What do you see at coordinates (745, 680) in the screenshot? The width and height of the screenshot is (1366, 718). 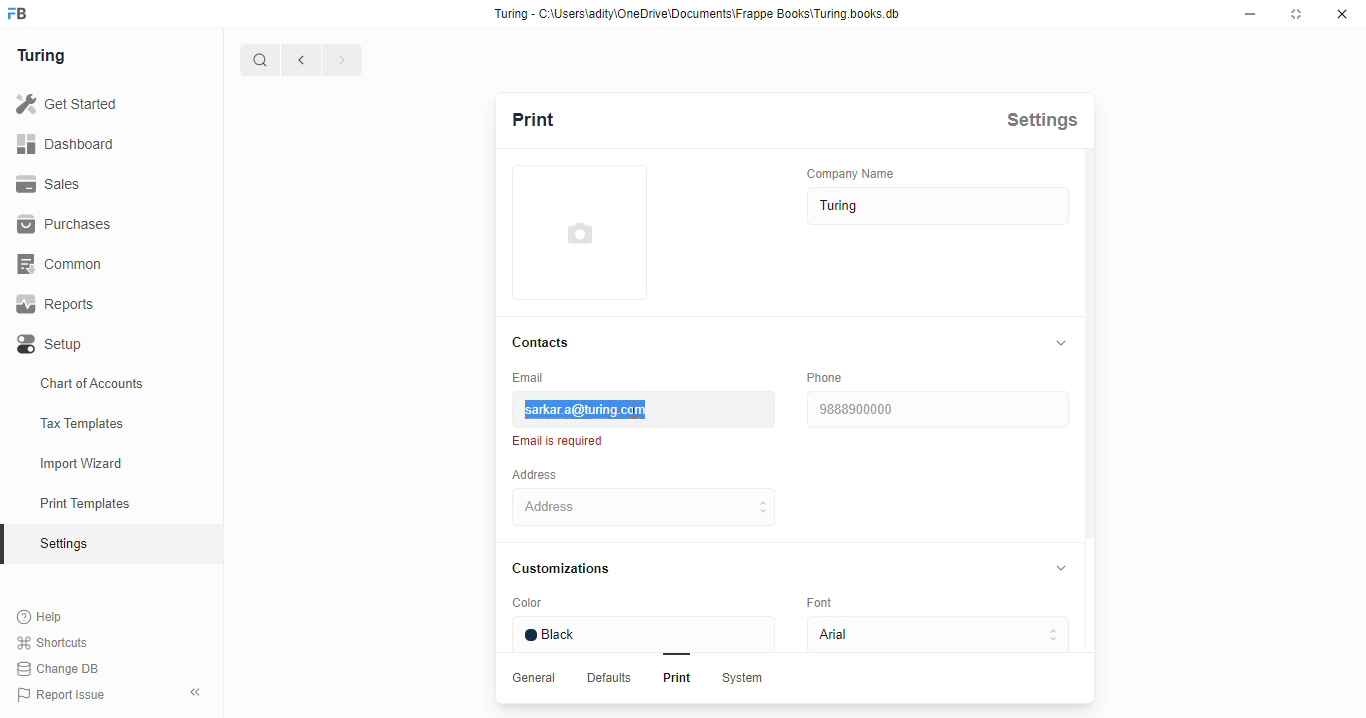 I see `System` at bounding box center [745, 680].